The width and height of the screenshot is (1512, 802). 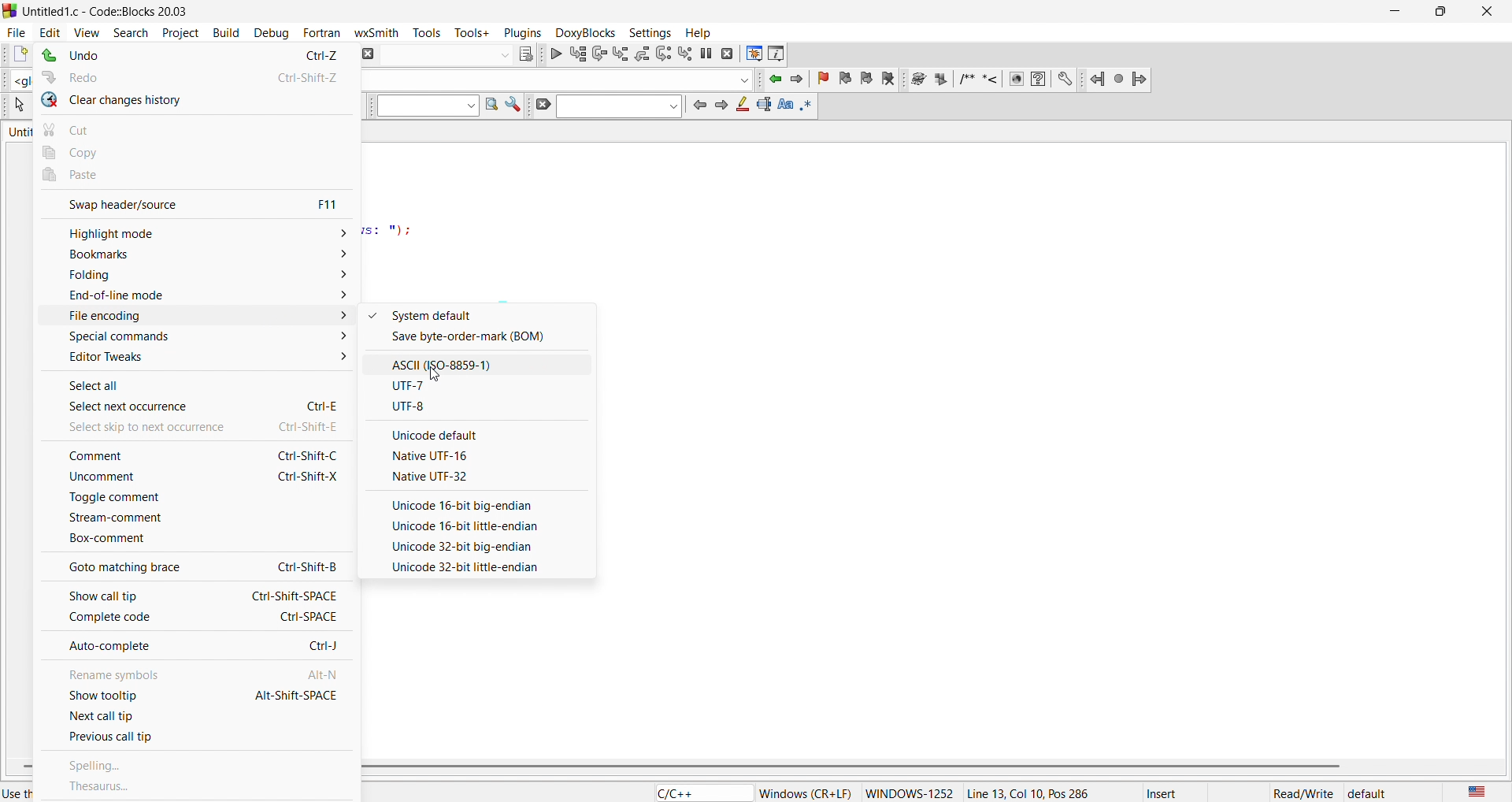 I want to click on cursor, so click(x=435, y=373).